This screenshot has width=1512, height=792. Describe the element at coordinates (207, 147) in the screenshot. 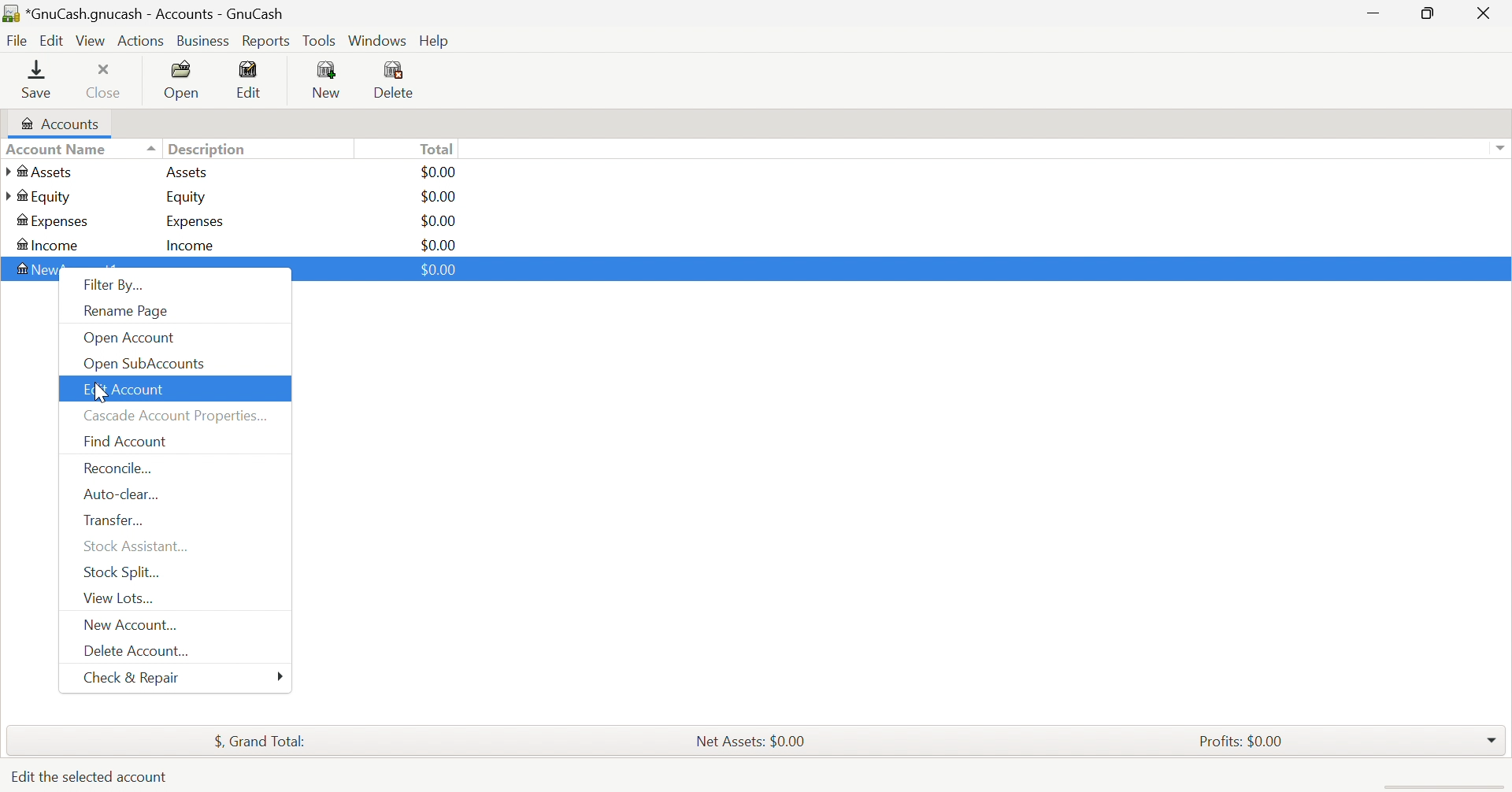

I see `Description` at that location.